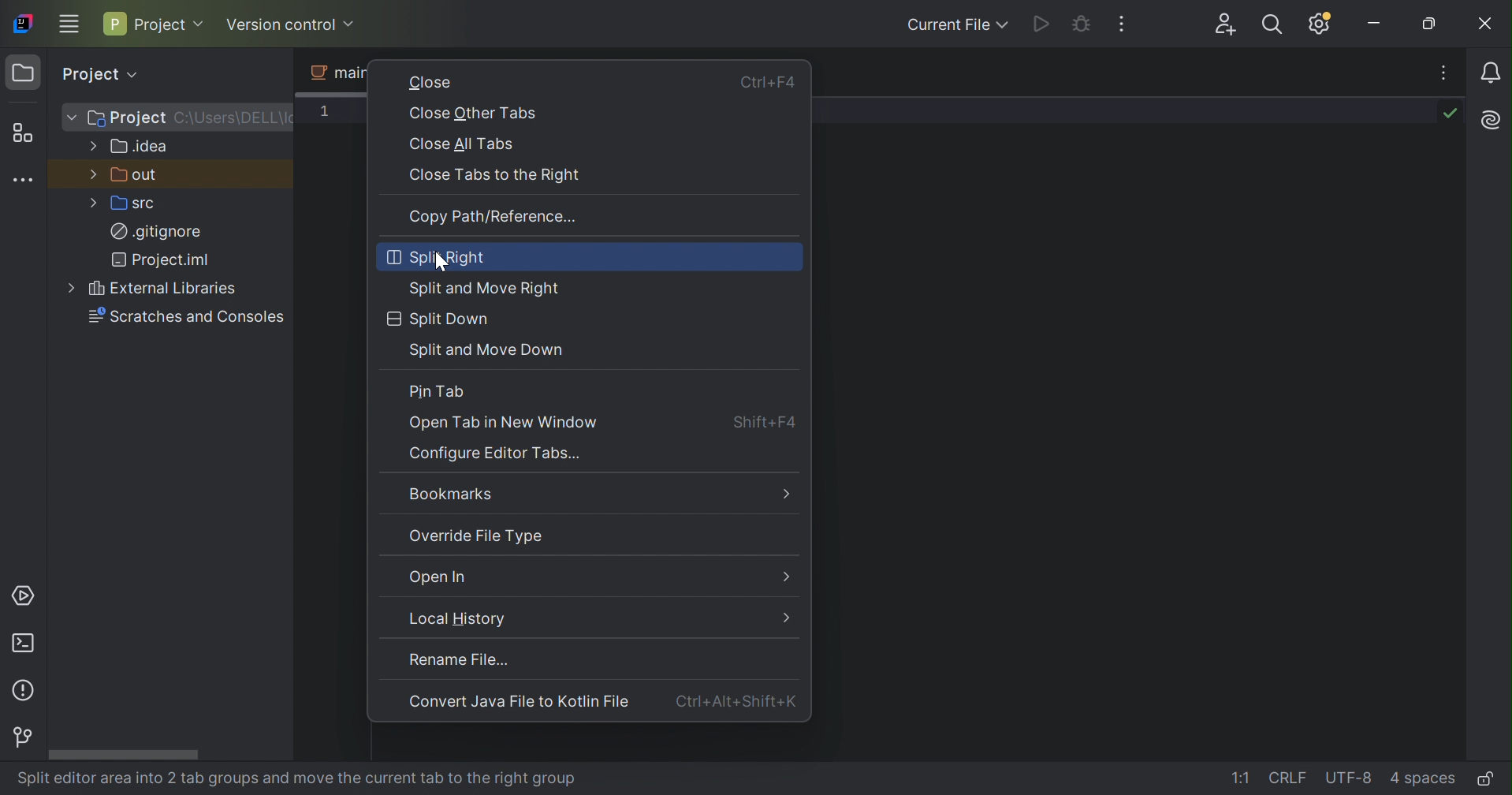 The height and width of the screenshot is (795, 1512). I want to click on Ctrl+F4, so click(768, 84).